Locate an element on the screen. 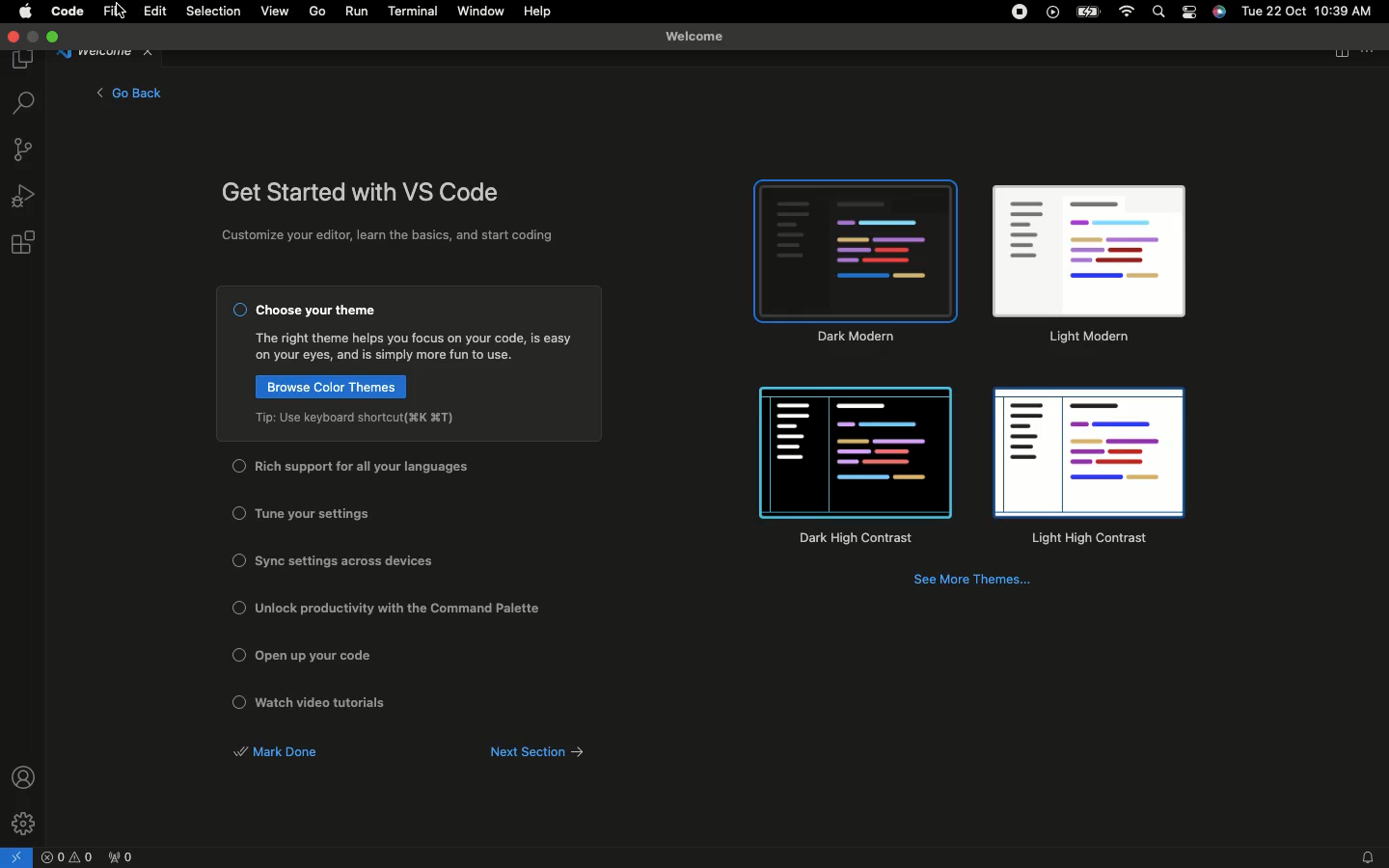 The image size is (1389, 868). Guide text is located at coordinates (416, 347).